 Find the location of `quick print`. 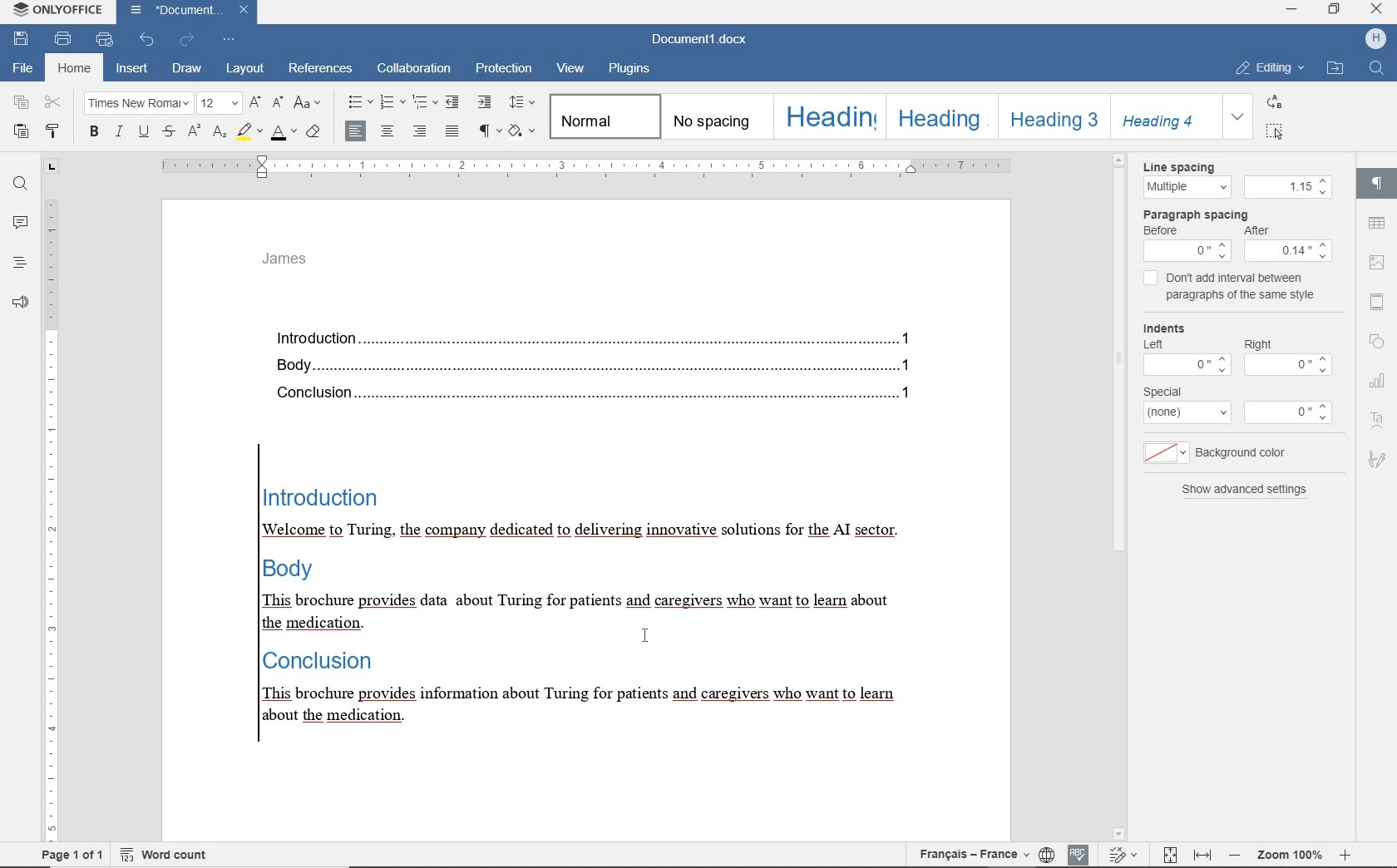

quick print is located at coordinates (104, 40).